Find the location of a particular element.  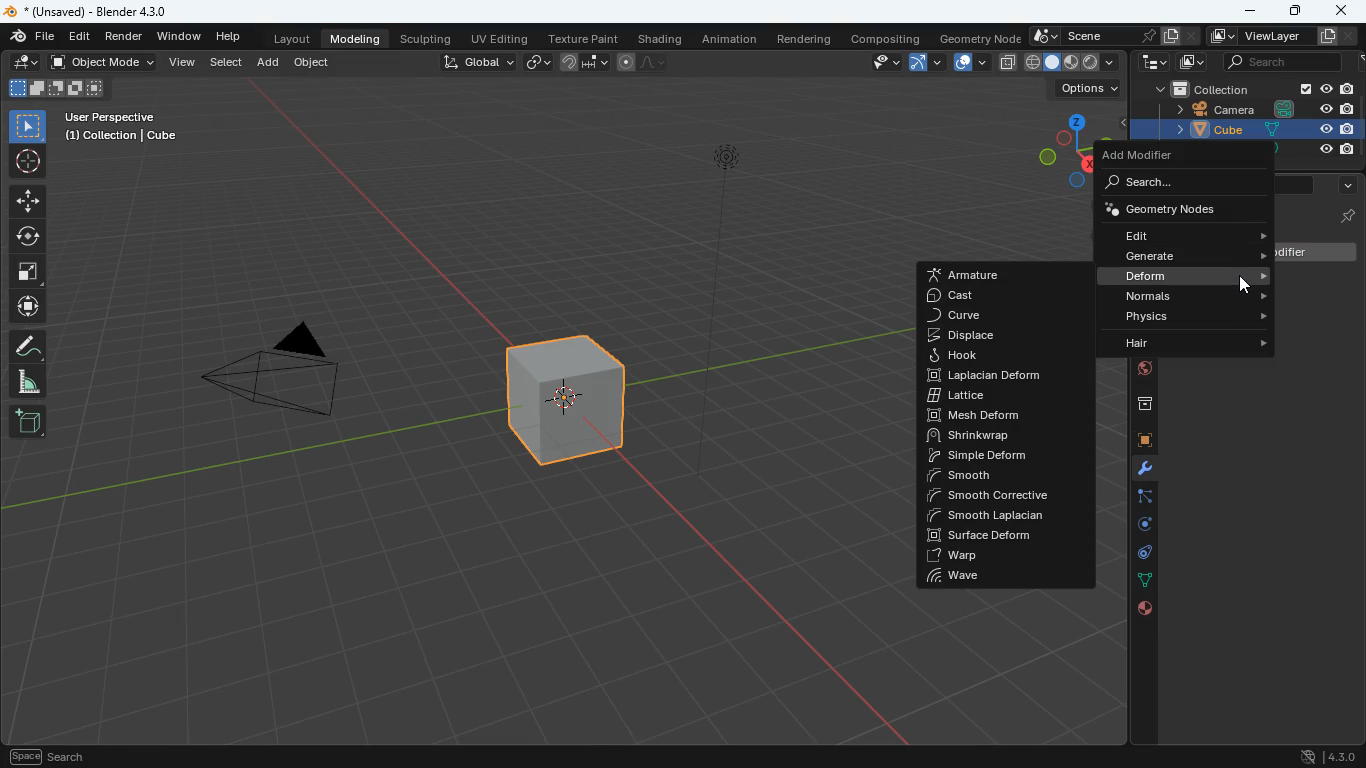

pin is located at coordinates (1341, 218).